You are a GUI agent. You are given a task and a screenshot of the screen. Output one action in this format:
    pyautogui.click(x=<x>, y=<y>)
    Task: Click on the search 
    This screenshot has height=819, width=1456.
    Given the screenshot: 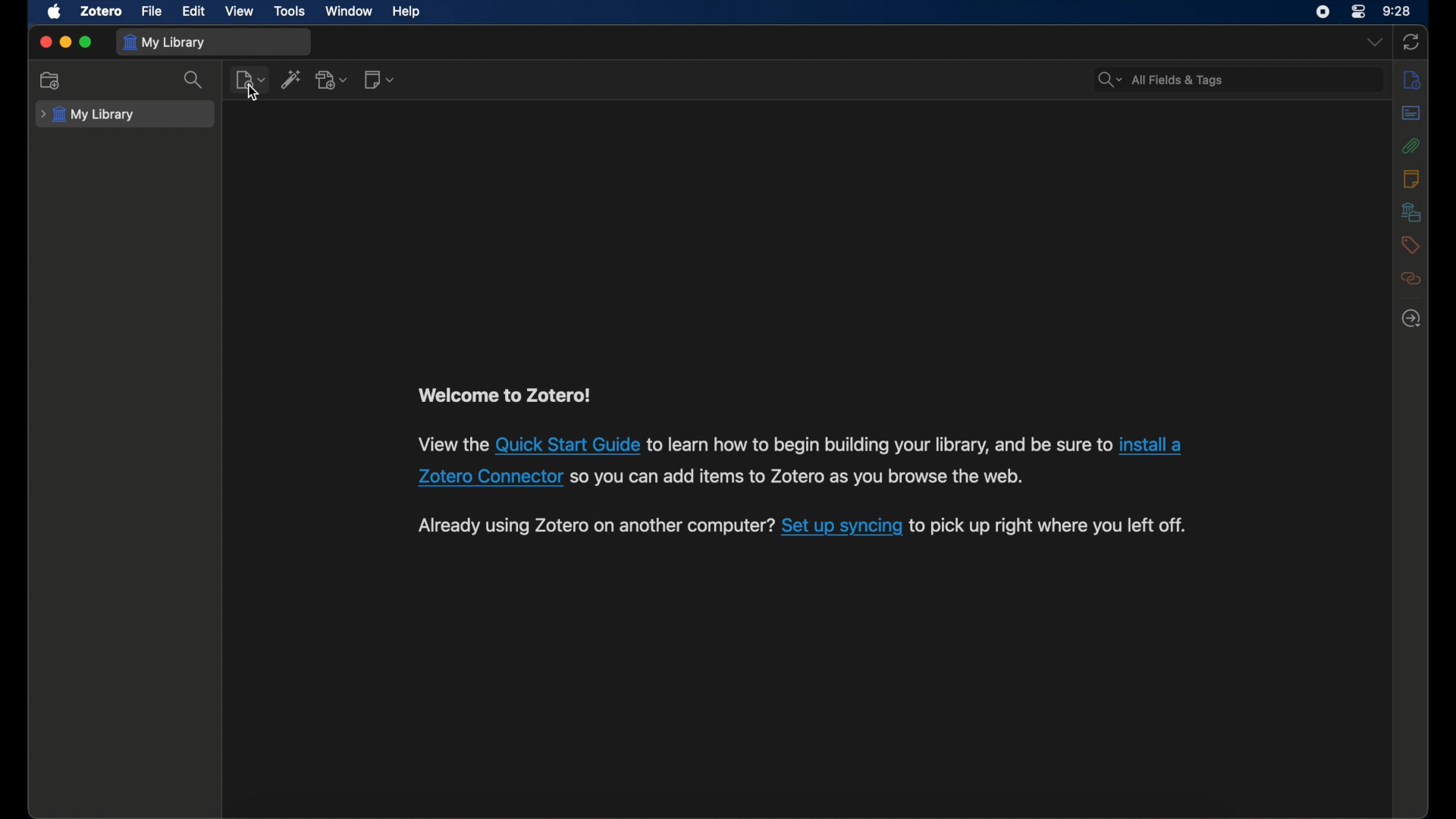 What is the action you would take?
    pyautogui.click(x=1160, y=80)
    